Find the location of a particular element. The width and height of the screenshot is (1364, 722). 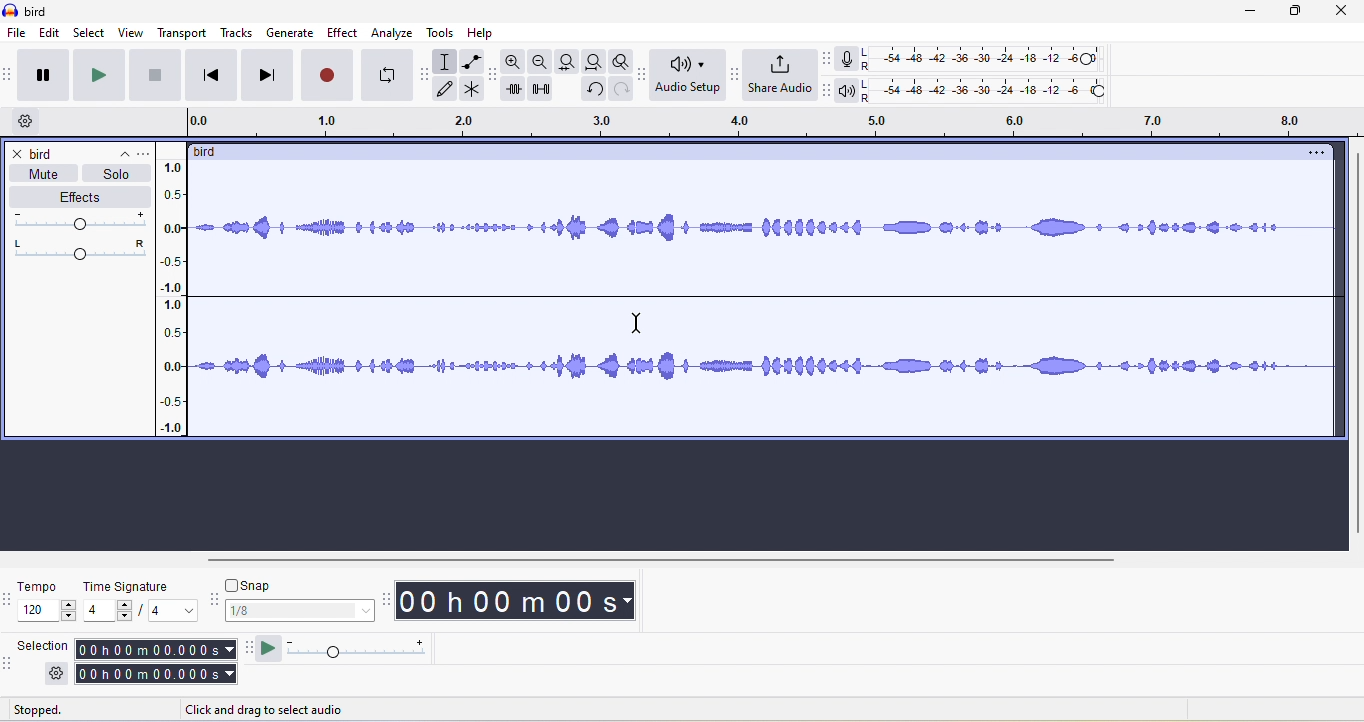

analyze is located at coordinates (393, 33).